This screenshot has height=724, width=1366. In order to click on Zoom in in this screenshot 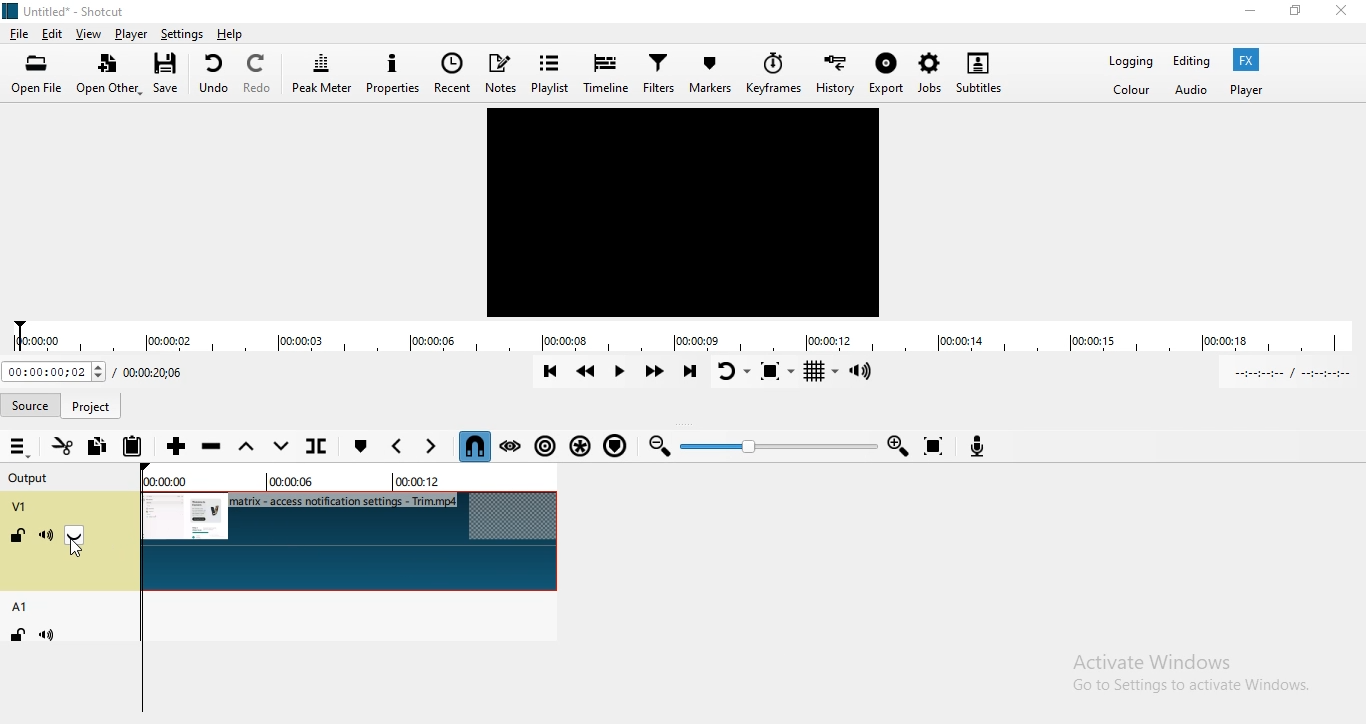, I will do `click(900, 445)`.